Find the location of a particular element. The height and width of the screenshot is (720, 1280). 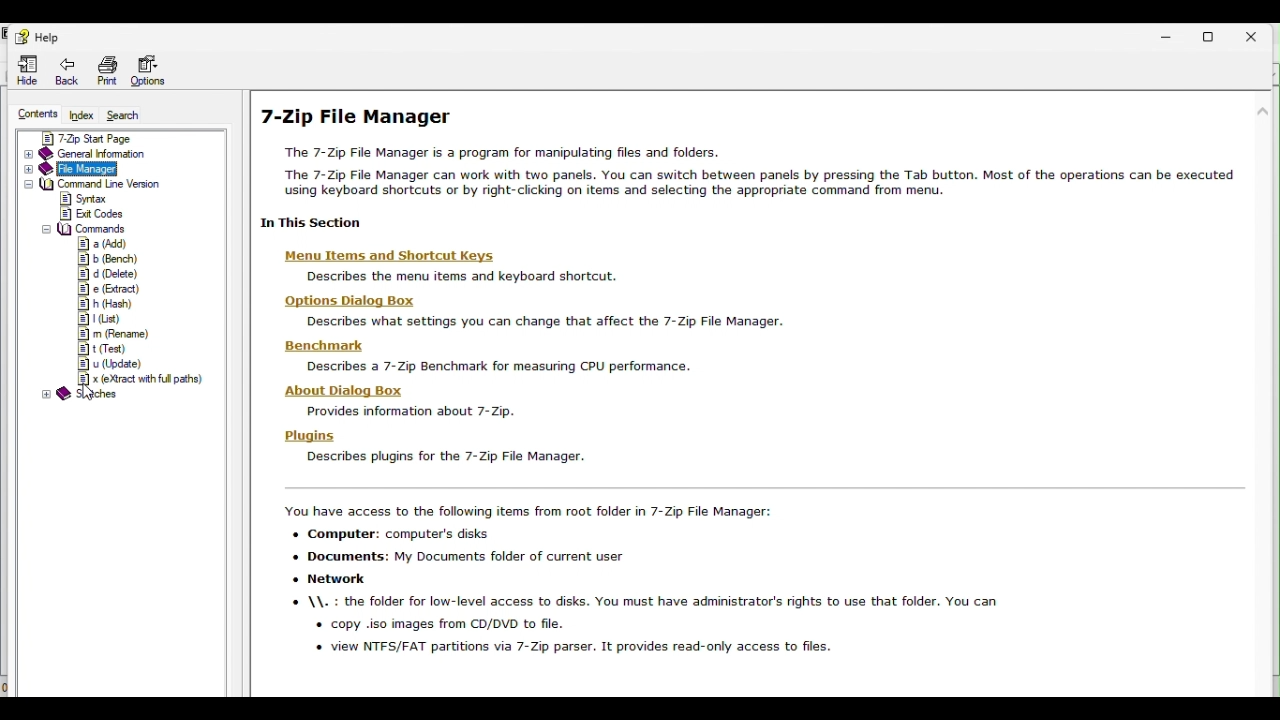

h (Harsh) is located at coordinates (110, 303).